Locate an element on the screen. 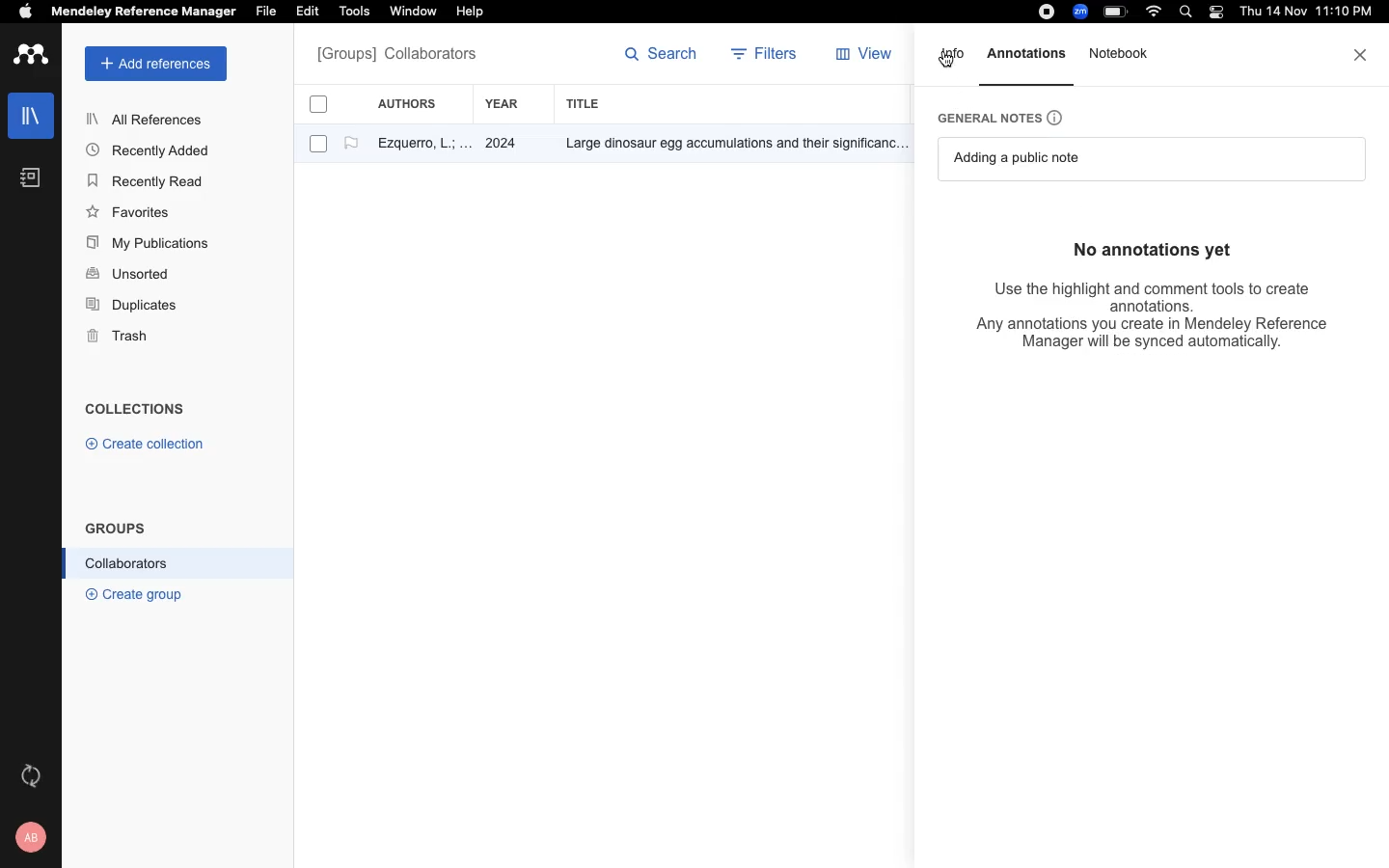 The width and height of the screenshot is (1389, 868). notebook is located at coordinates (31, 177).